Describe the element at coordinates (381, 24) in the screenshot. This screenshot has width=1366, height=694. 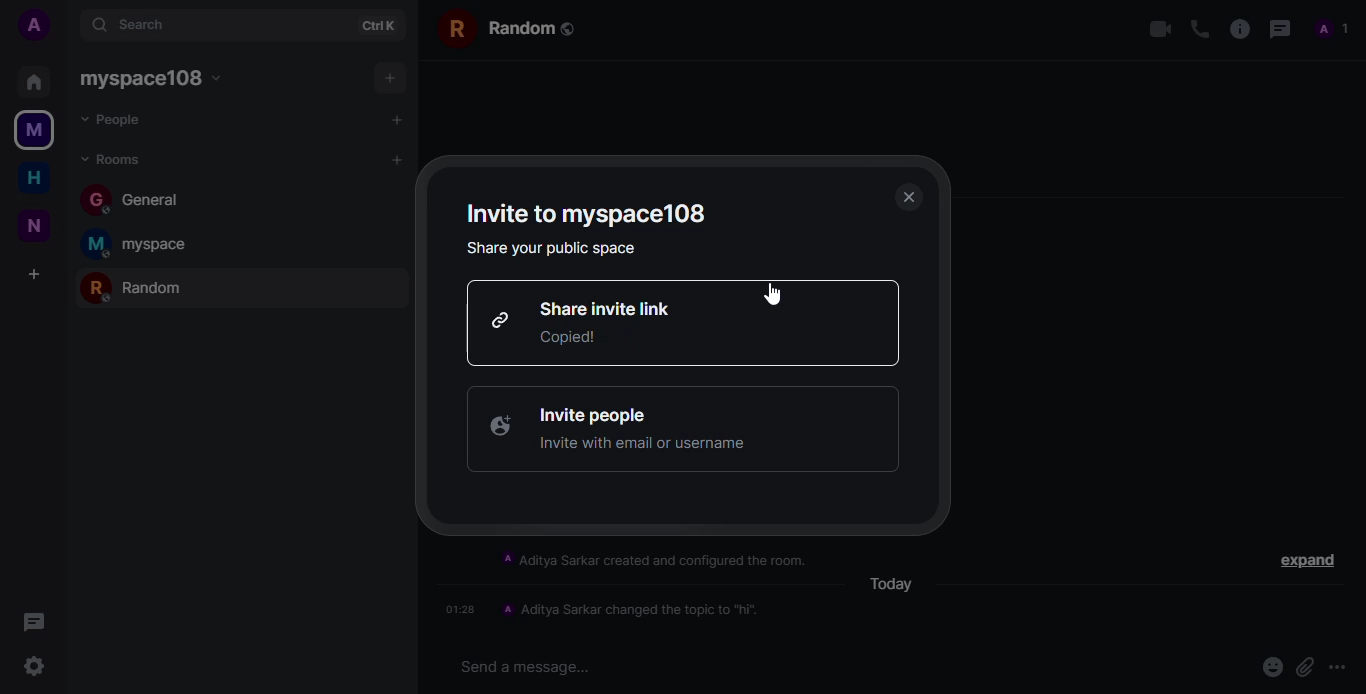
I see `ctrl+k` at that location.